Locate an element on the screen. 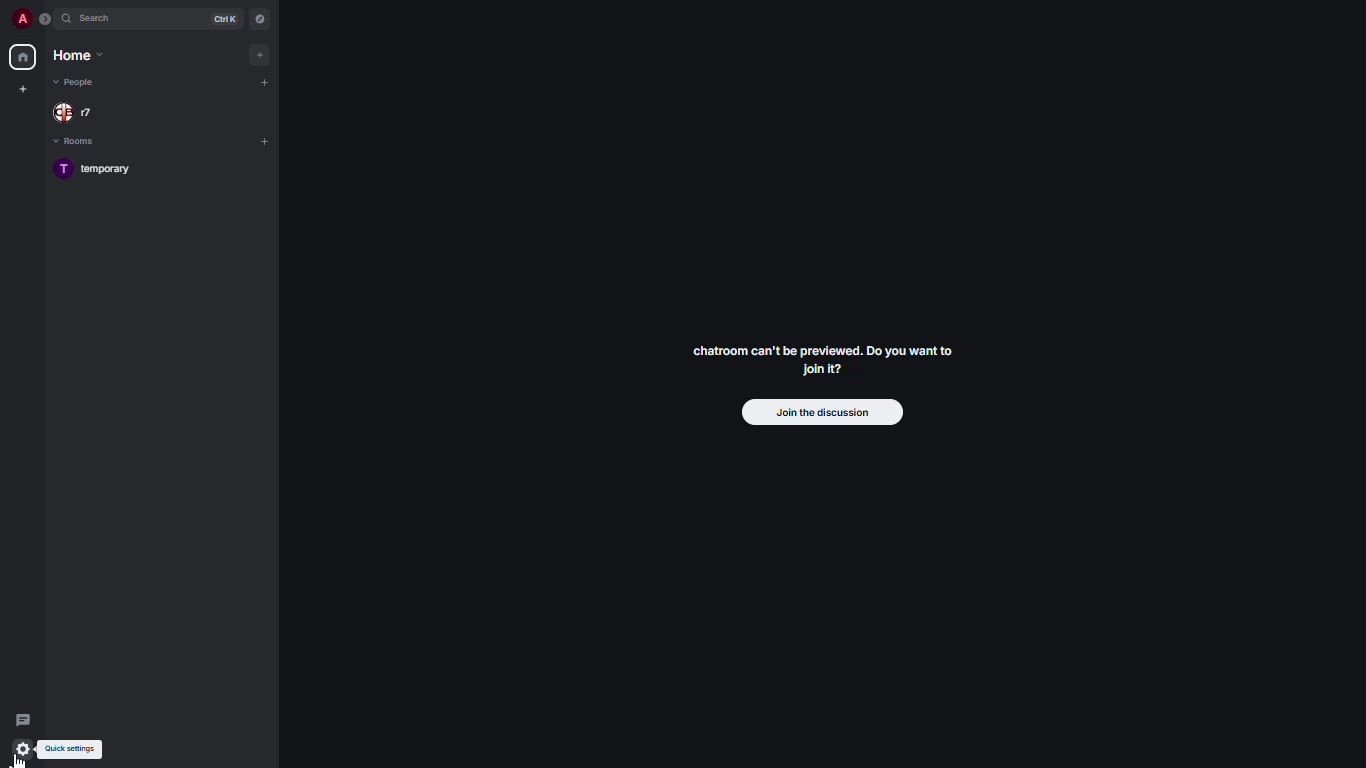  chatroom can't be previewed is located at coordinates (821, 362).